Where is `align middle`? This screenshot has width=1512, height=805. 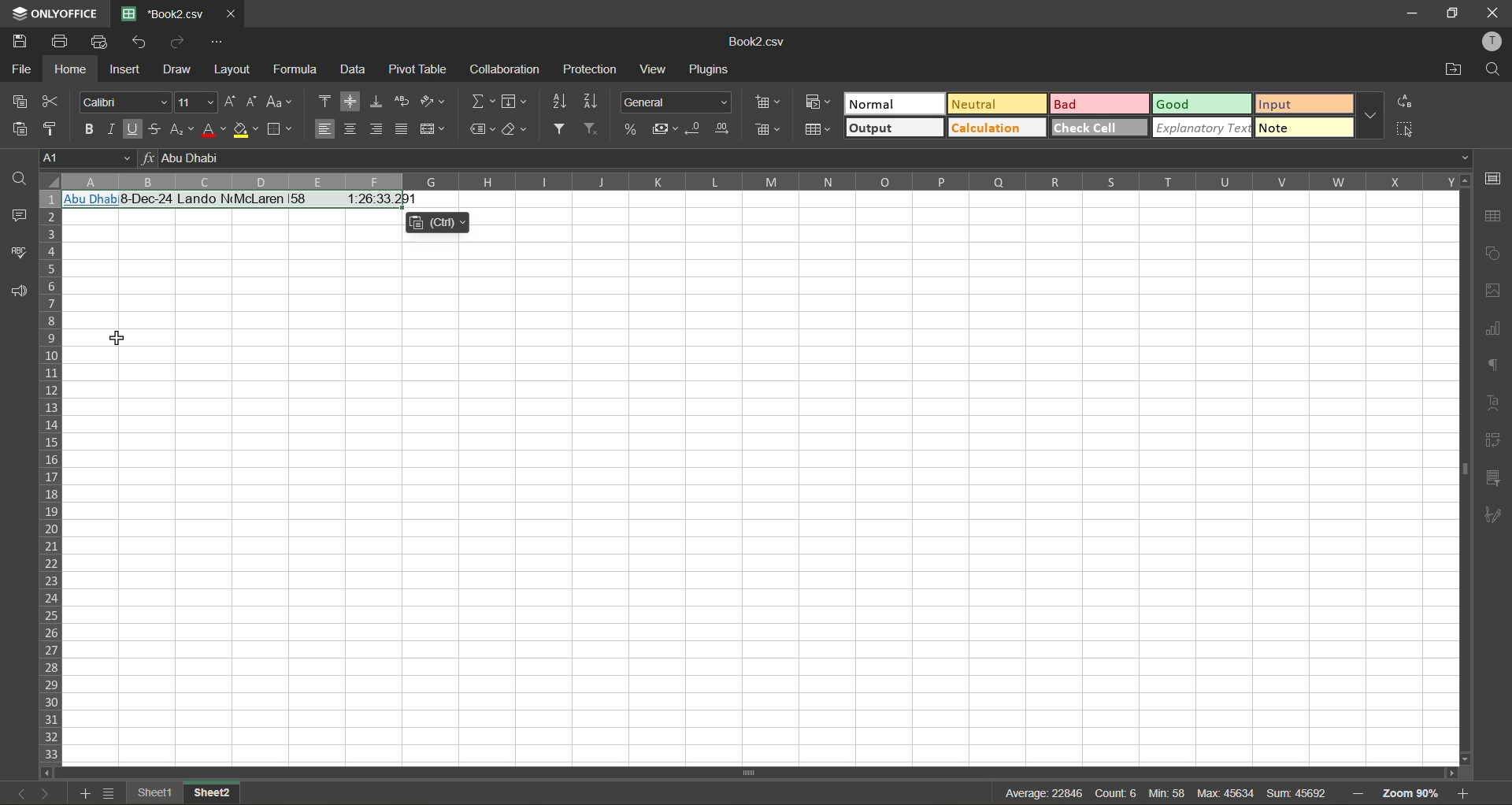 align middle is located at coordinates (354, 101).